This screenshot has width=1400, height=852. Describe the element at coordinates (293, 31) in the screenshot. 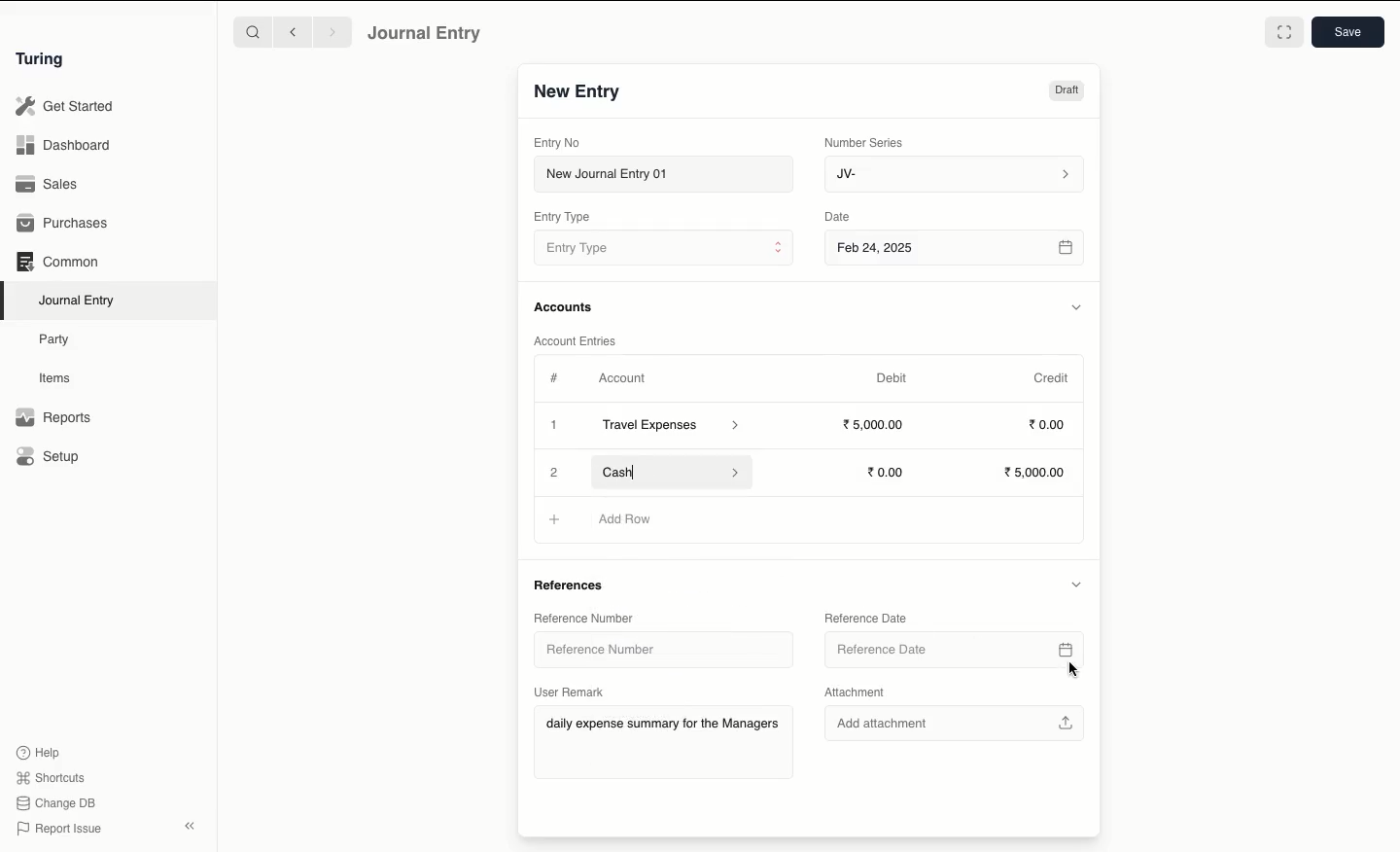

I see `Backward` at that location.